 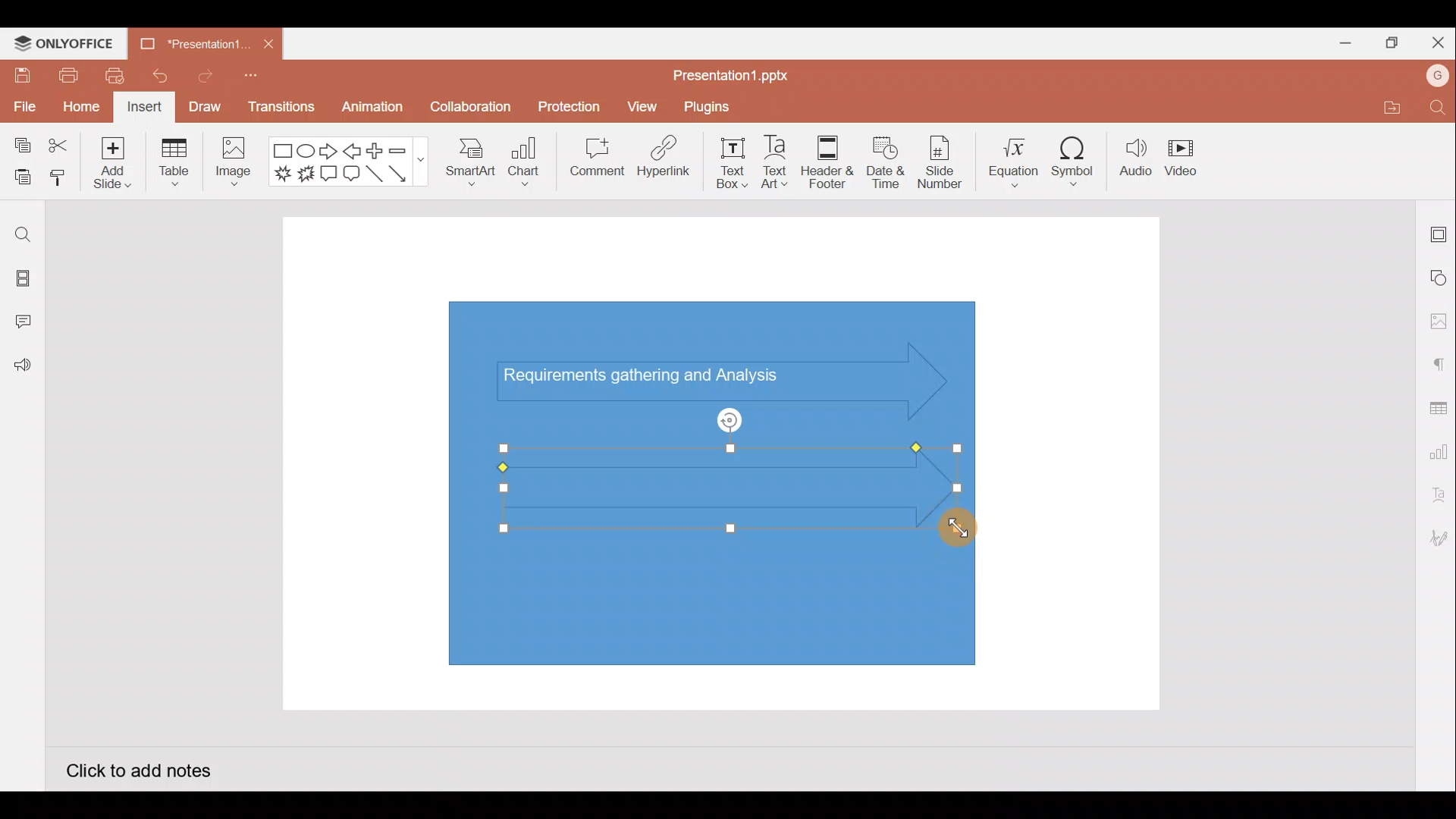 What do you see at coordinates (20, 74) in the screenshot?
I see `Save` at bounding box center [20, 74].